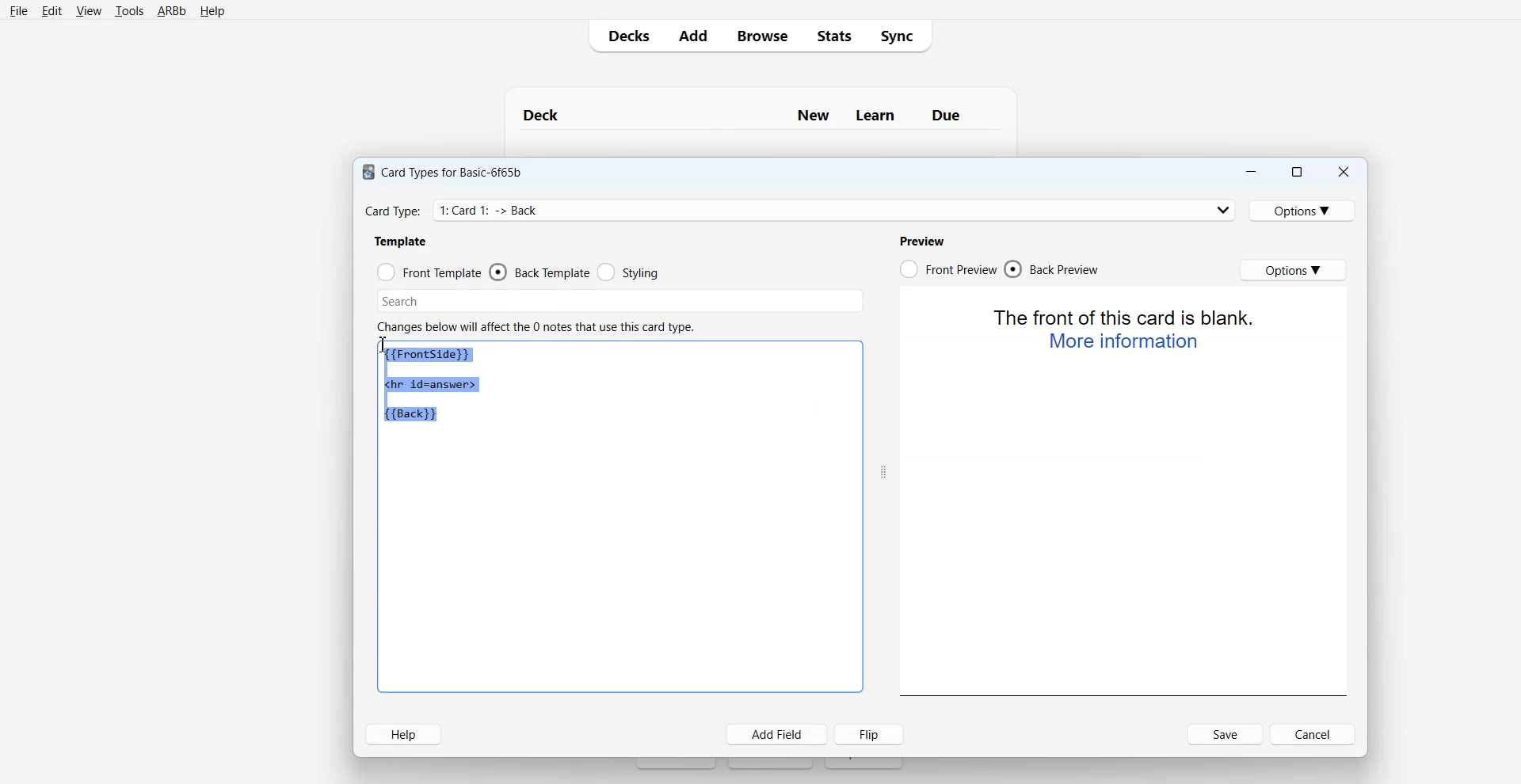 The height and width of the screenshot is (784, 1521). Describe the element at coordinates (1306, 209) in the screenshot. I see `Options` at that location.